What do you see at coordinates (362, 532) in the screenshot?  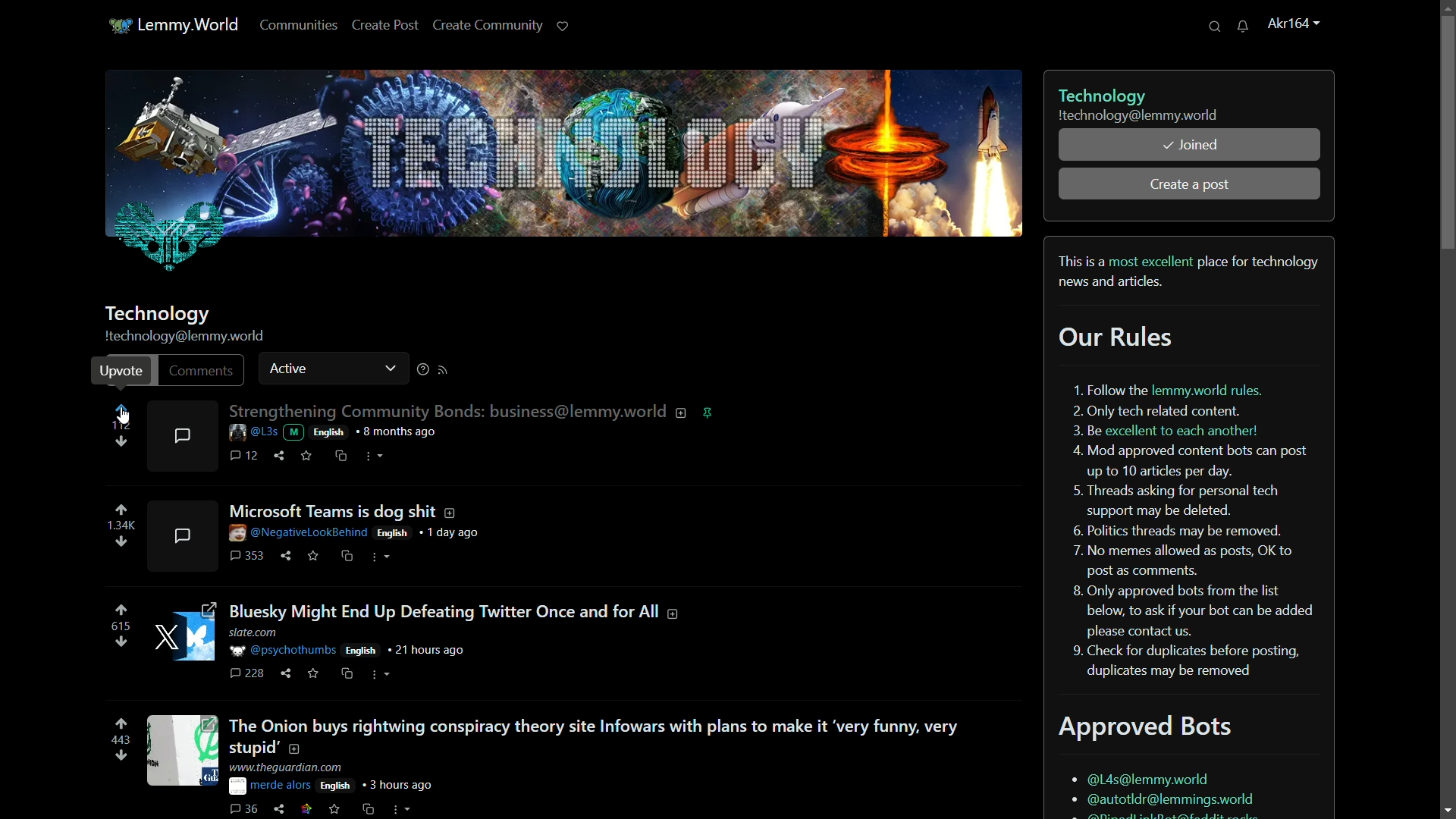 I see `post details` at bounding box center [362, 532].